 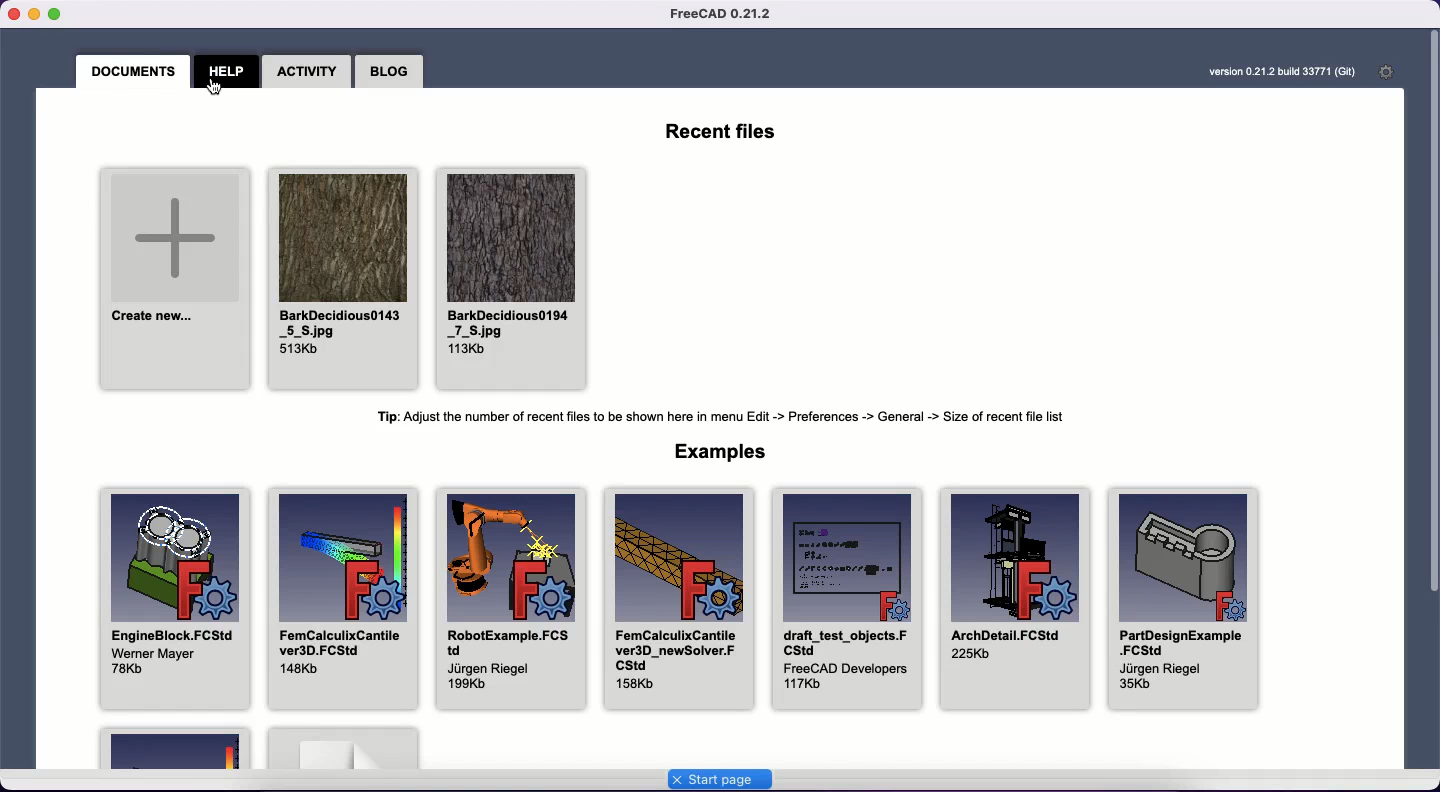 What do you see at coordinates (724, 14) in the screenshot?
I see `FreeCAD` at bounding box center [724, 14].